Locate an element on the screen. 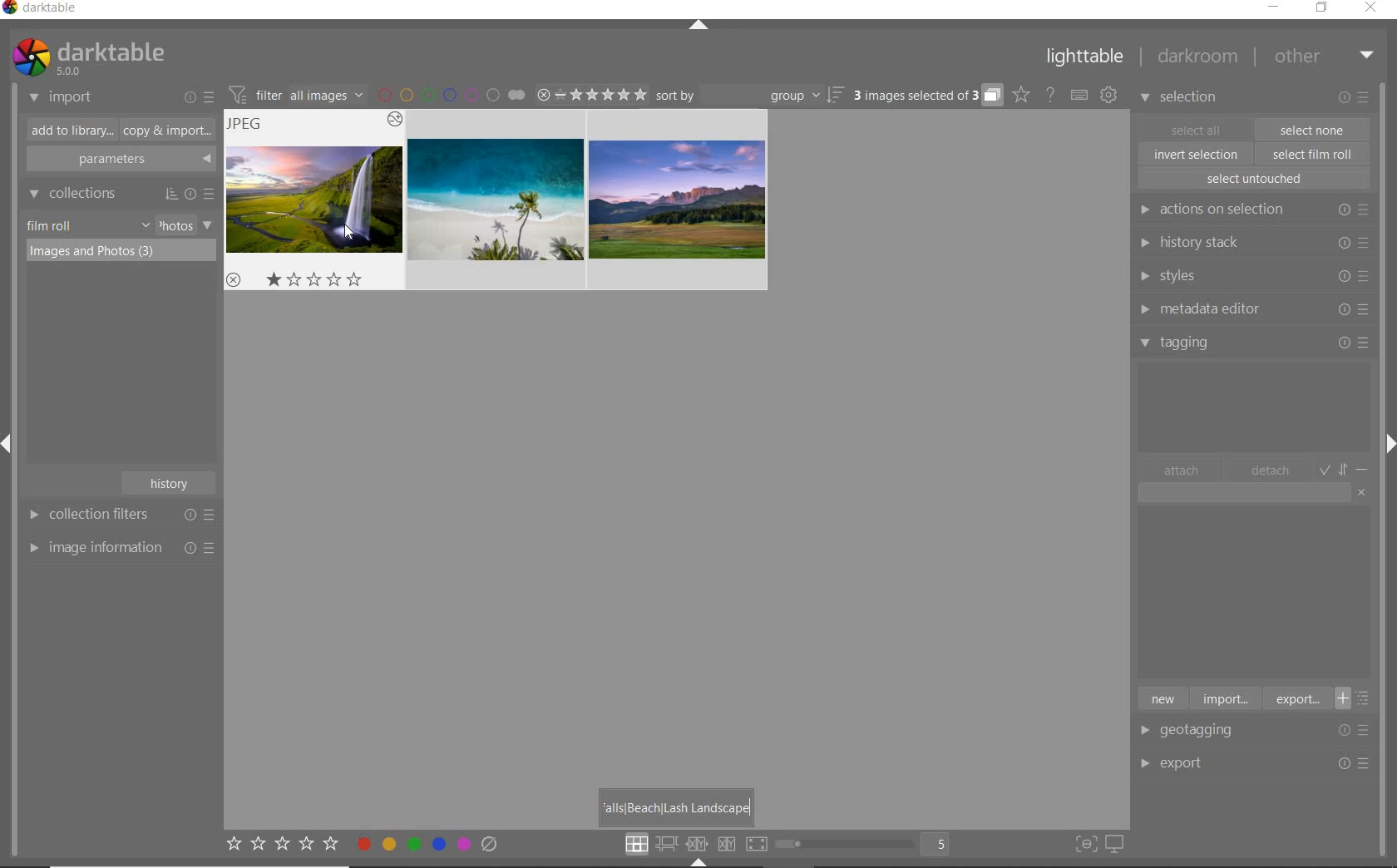 The height and width of the screenshot is (868, 1397). metadata editor is located at coordinates (1251, 309).